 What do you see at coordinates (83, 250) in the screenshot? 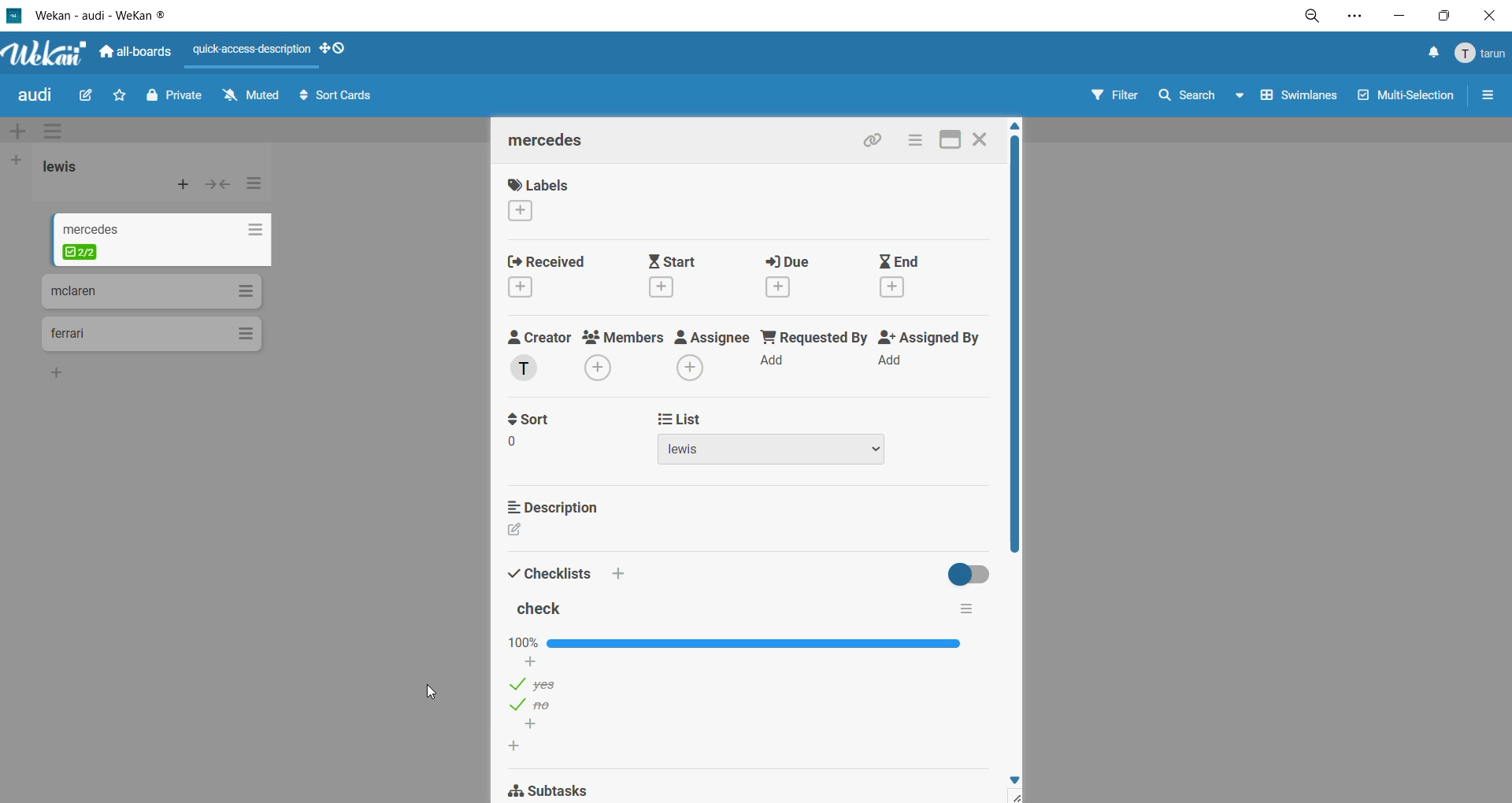
I see `checklist completed` at bounding box center [83, 250].